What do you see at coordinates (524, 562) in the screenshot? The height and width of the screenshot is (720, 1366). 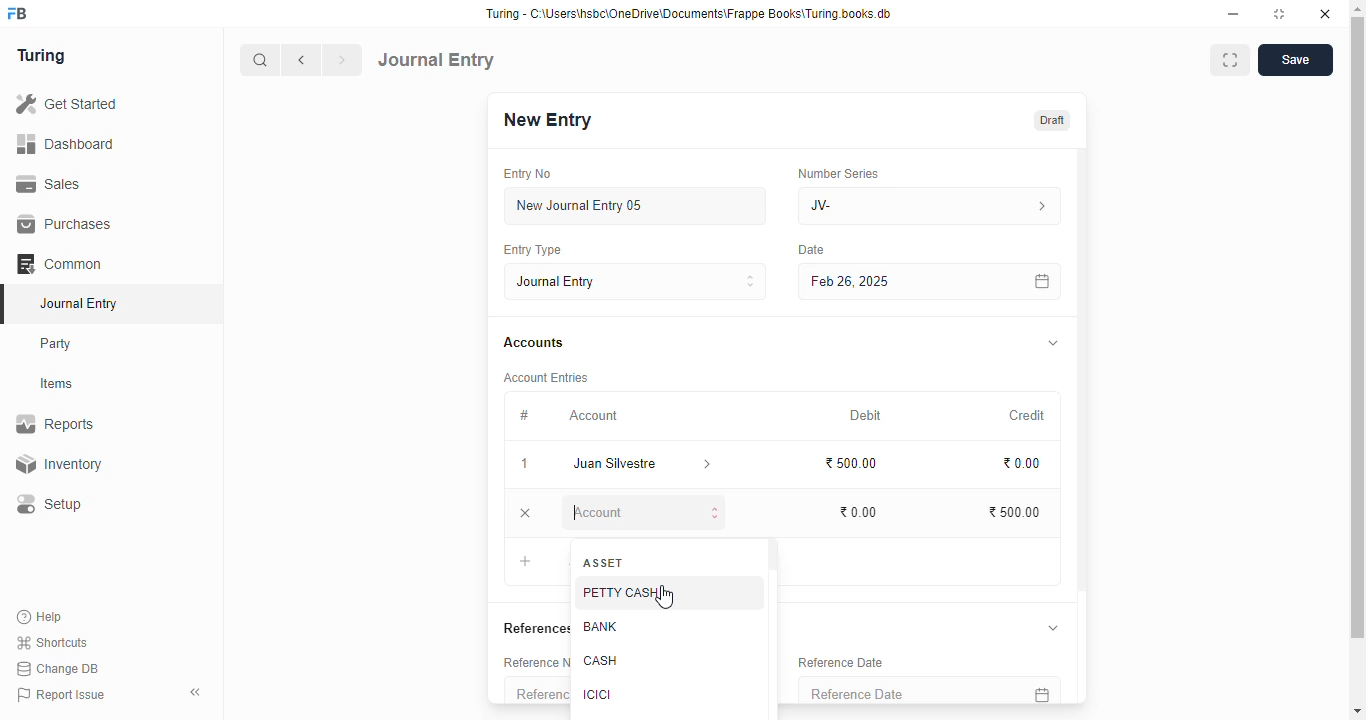 I see `add` at bounding box center [524, 562].